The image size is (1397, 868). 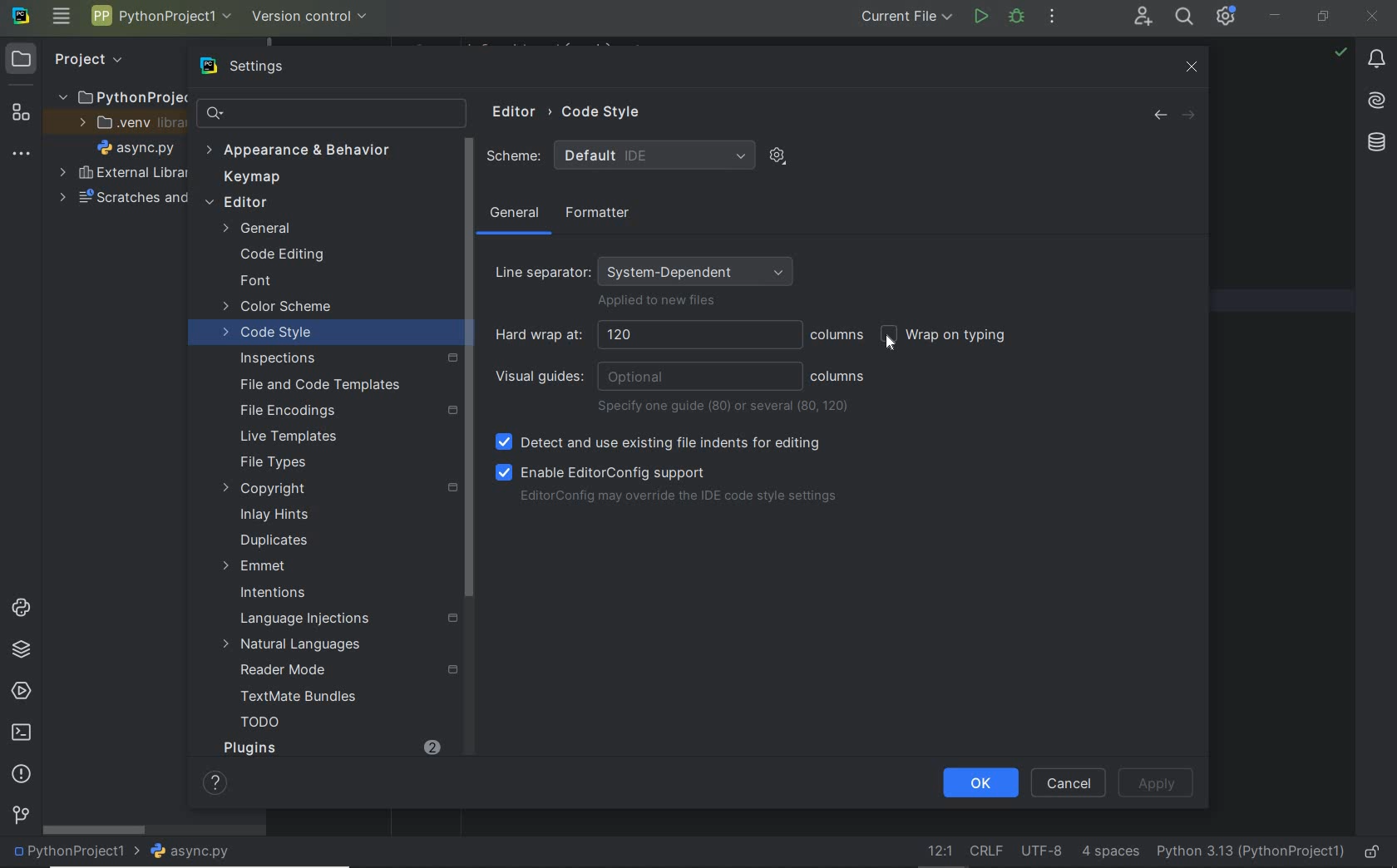 What do you see at coordinates (1192, 116) in the screenshot?
I see `forward` at bounding box center [1192, 116].